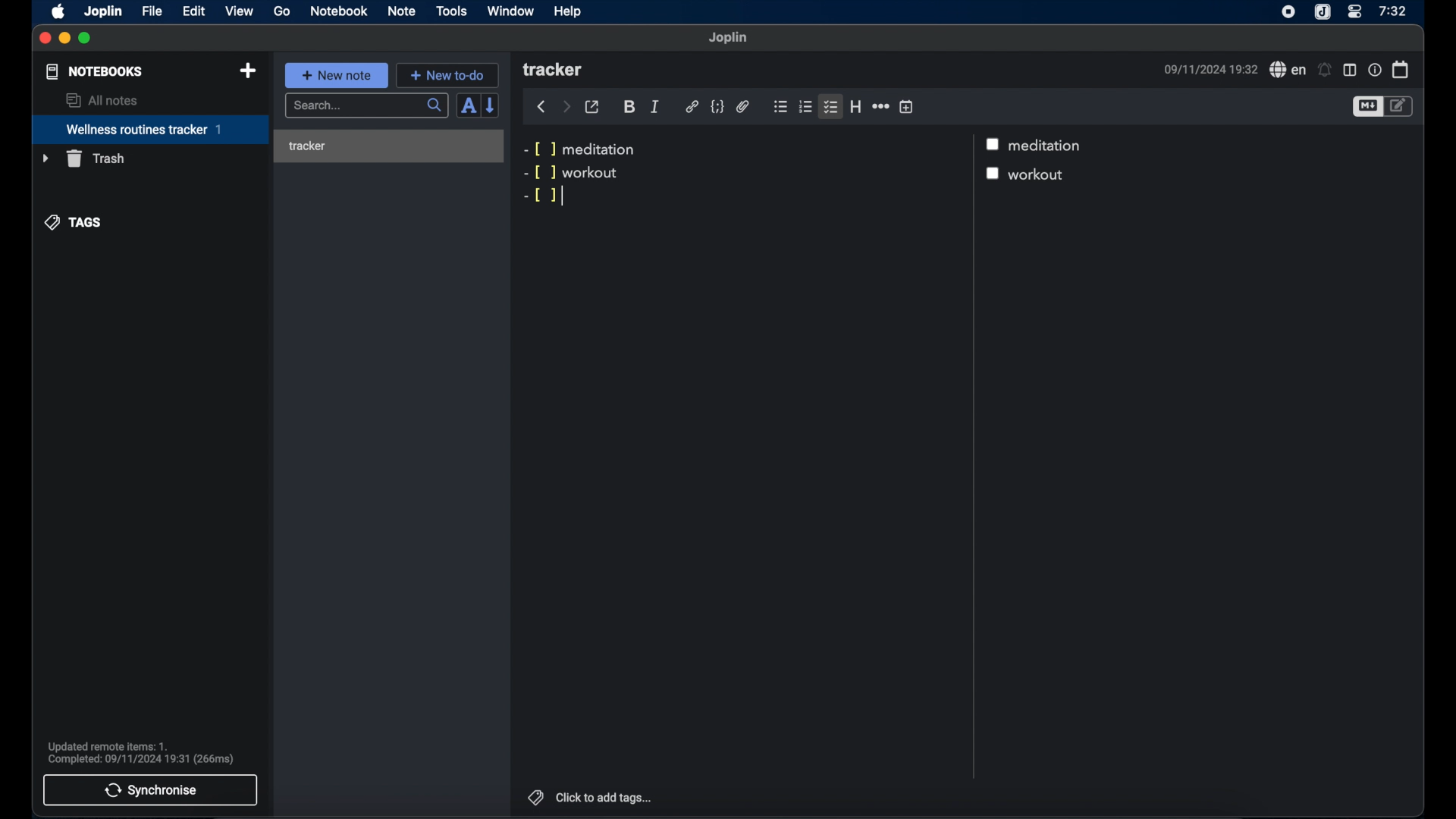 The width and height of the screenshot is (1456, 819). What do you see at coordinates (1374, 69) in the screenshot?
I see `note properties` at bounding box center [1374, 69].